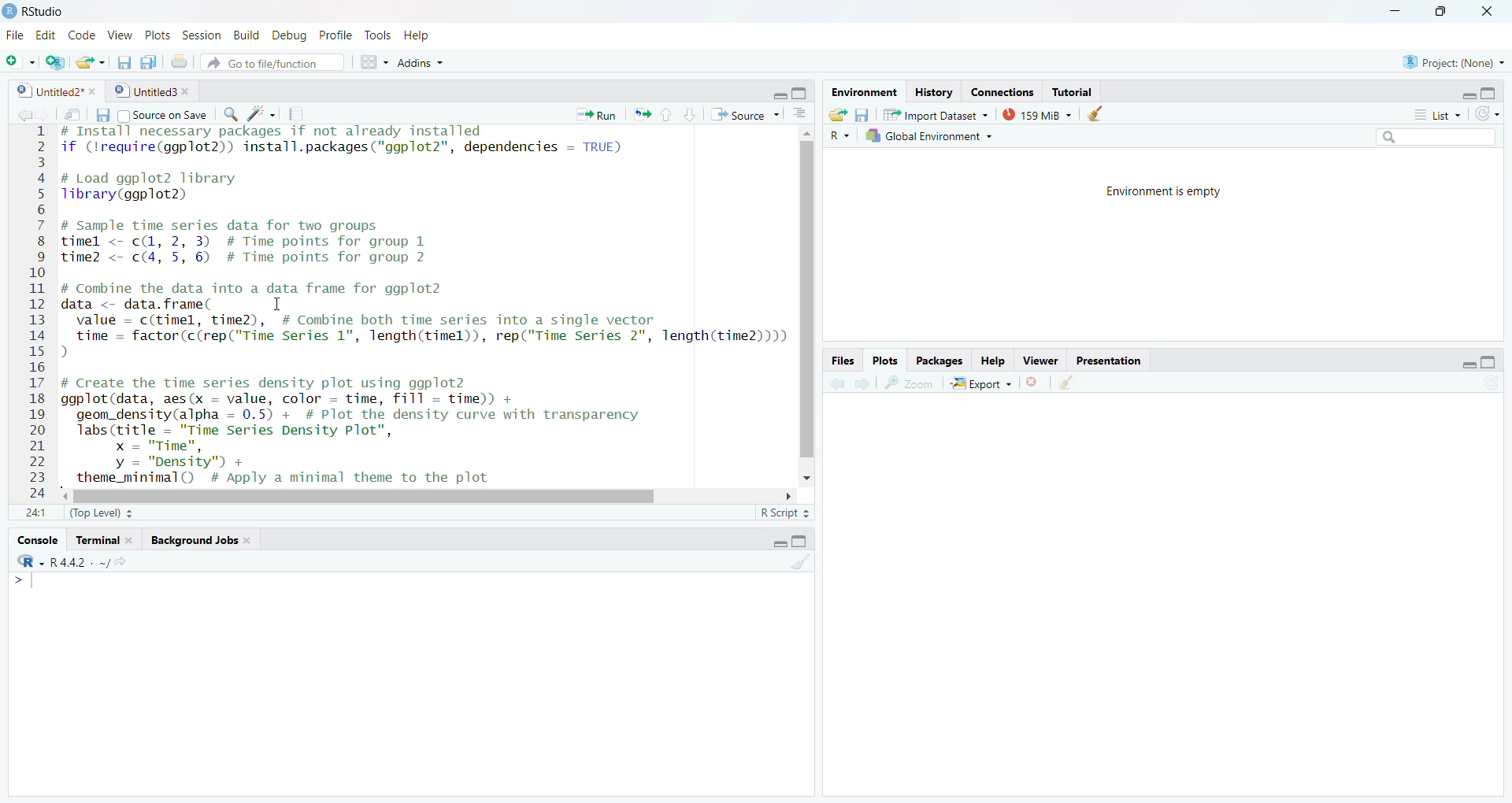 The height and width of the screenshot is (803, 1512). What do you see at coordinates (36, 12) in the screenshot?
I see `RStudio` at bounding box center [36, 12].